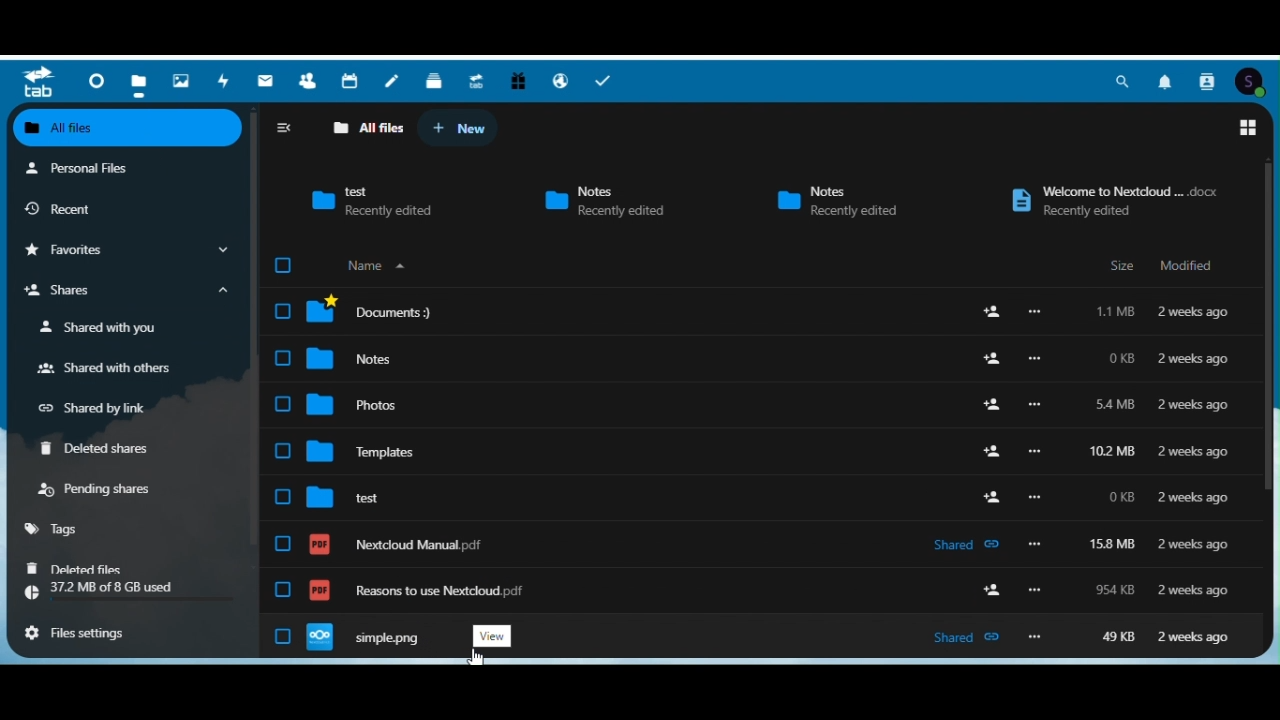  Describe the element at coordinates (518, 77) in the screenshot. I see `Free trial` at that location.